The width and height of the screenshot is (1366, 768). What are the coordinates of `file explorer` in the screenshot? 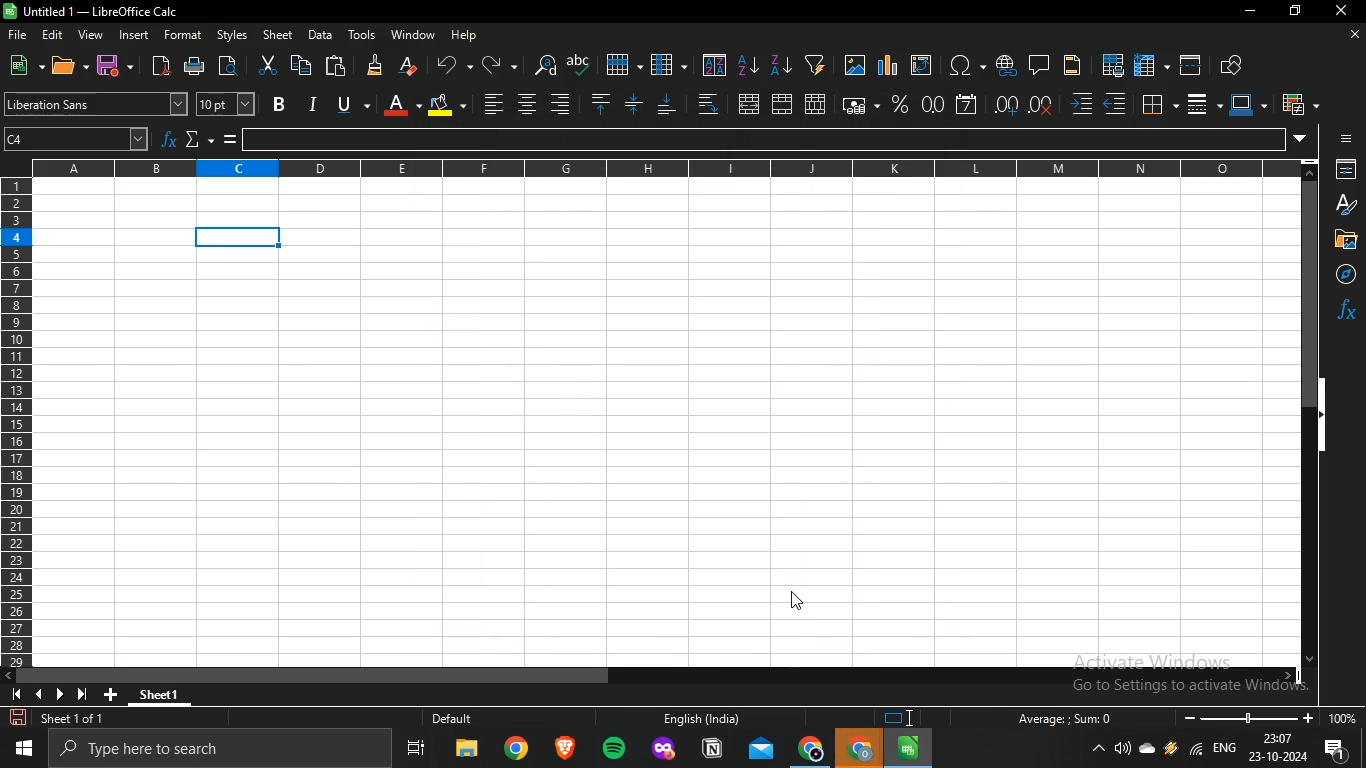 It's located at (467, 752).